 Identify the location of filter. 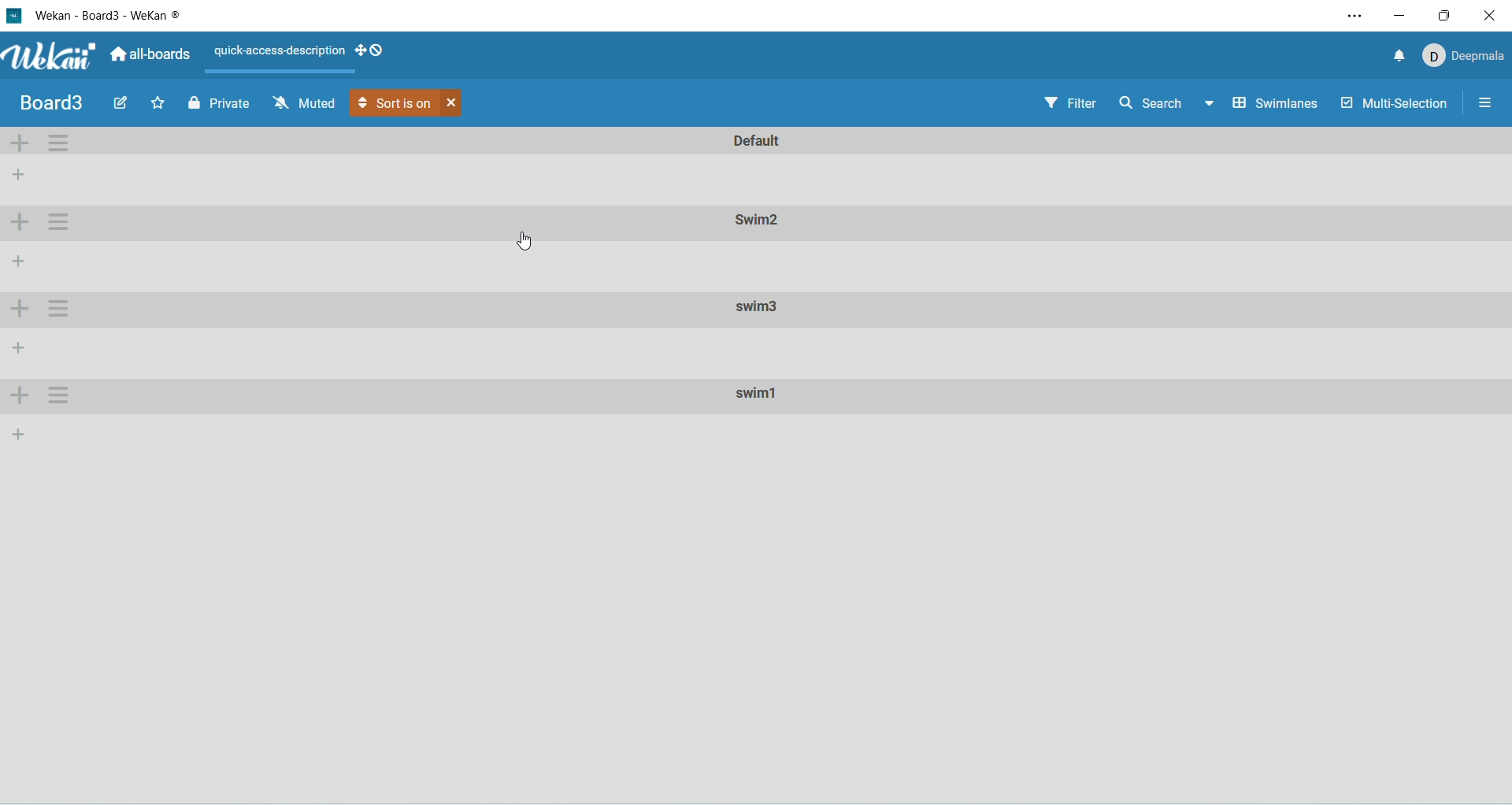
(1072, 106).